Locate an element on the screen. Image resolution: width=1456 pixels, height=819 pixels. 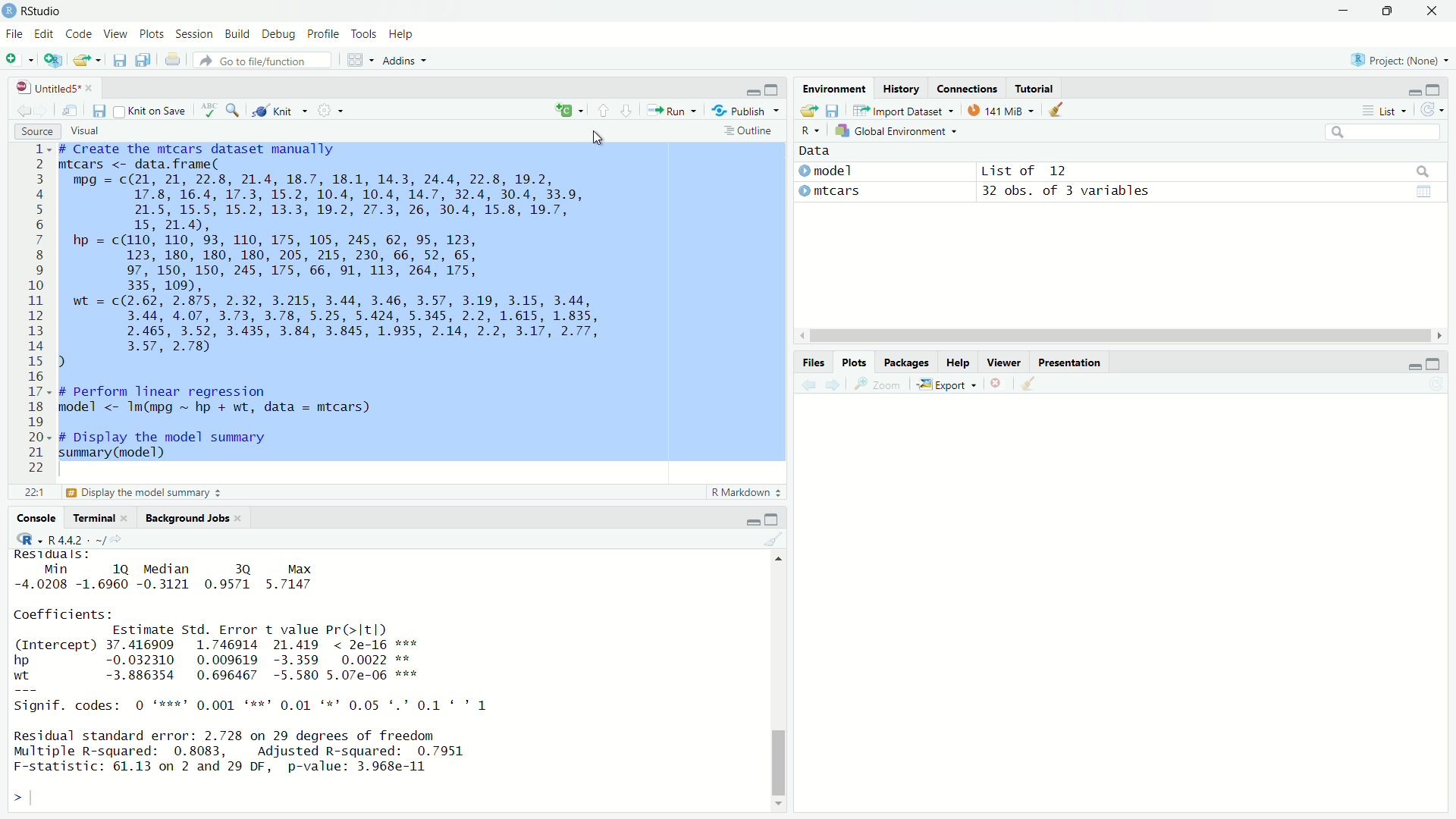
R 4.4.2 is located at coordinates (61, 537).